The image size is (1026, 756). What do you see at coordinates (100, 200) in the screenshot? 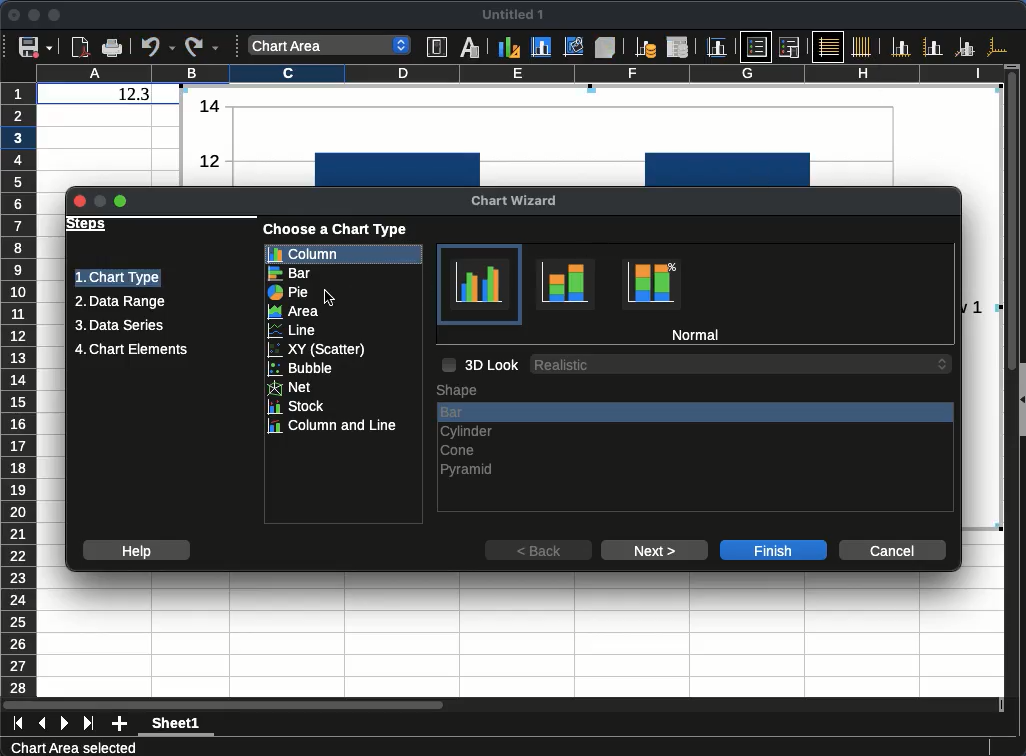
I see `Minimize` at bounding box center [100, 200].